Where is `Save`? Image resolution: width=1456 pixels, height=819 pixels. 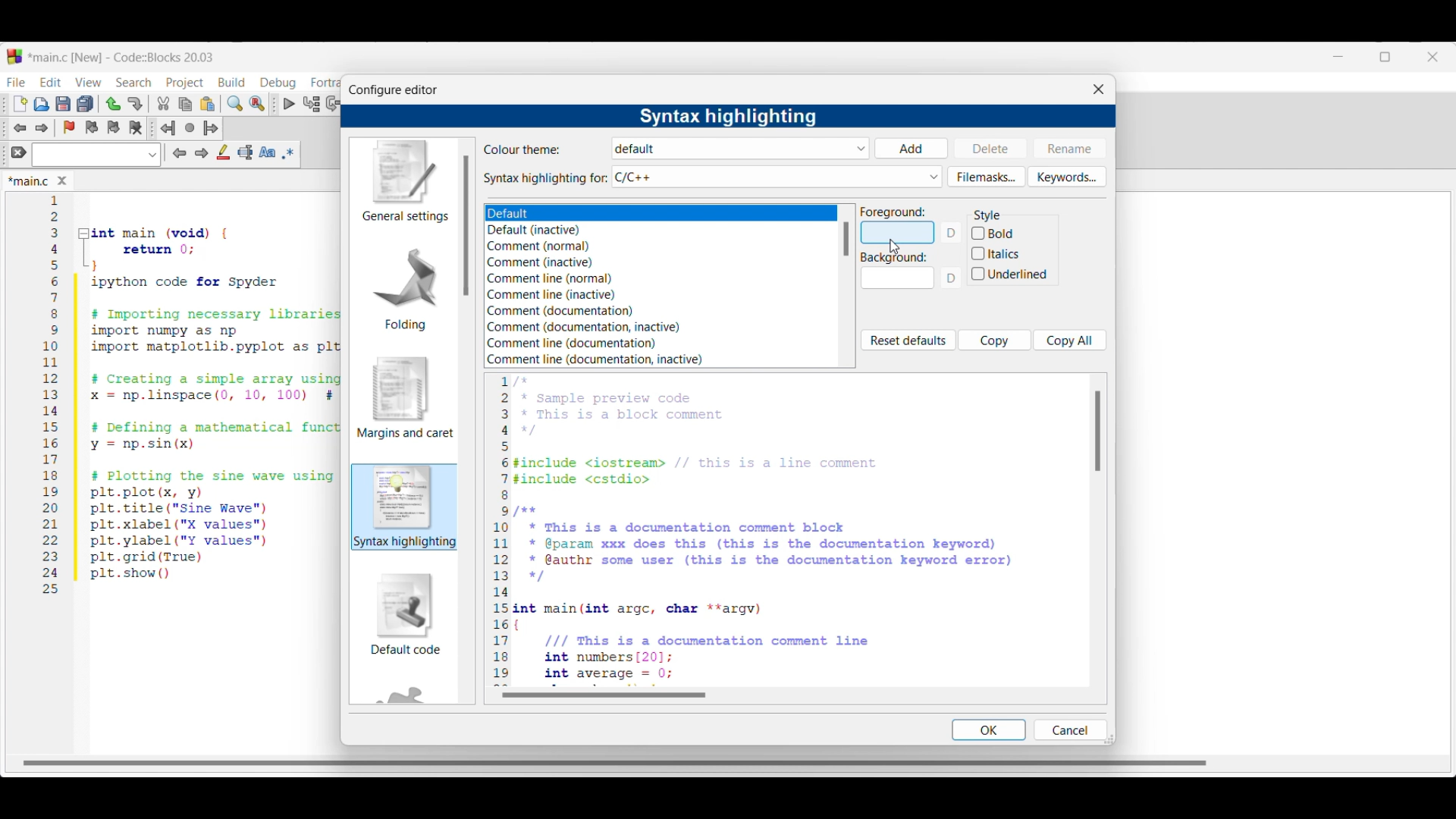 Save is located at coordinates (63, 104).